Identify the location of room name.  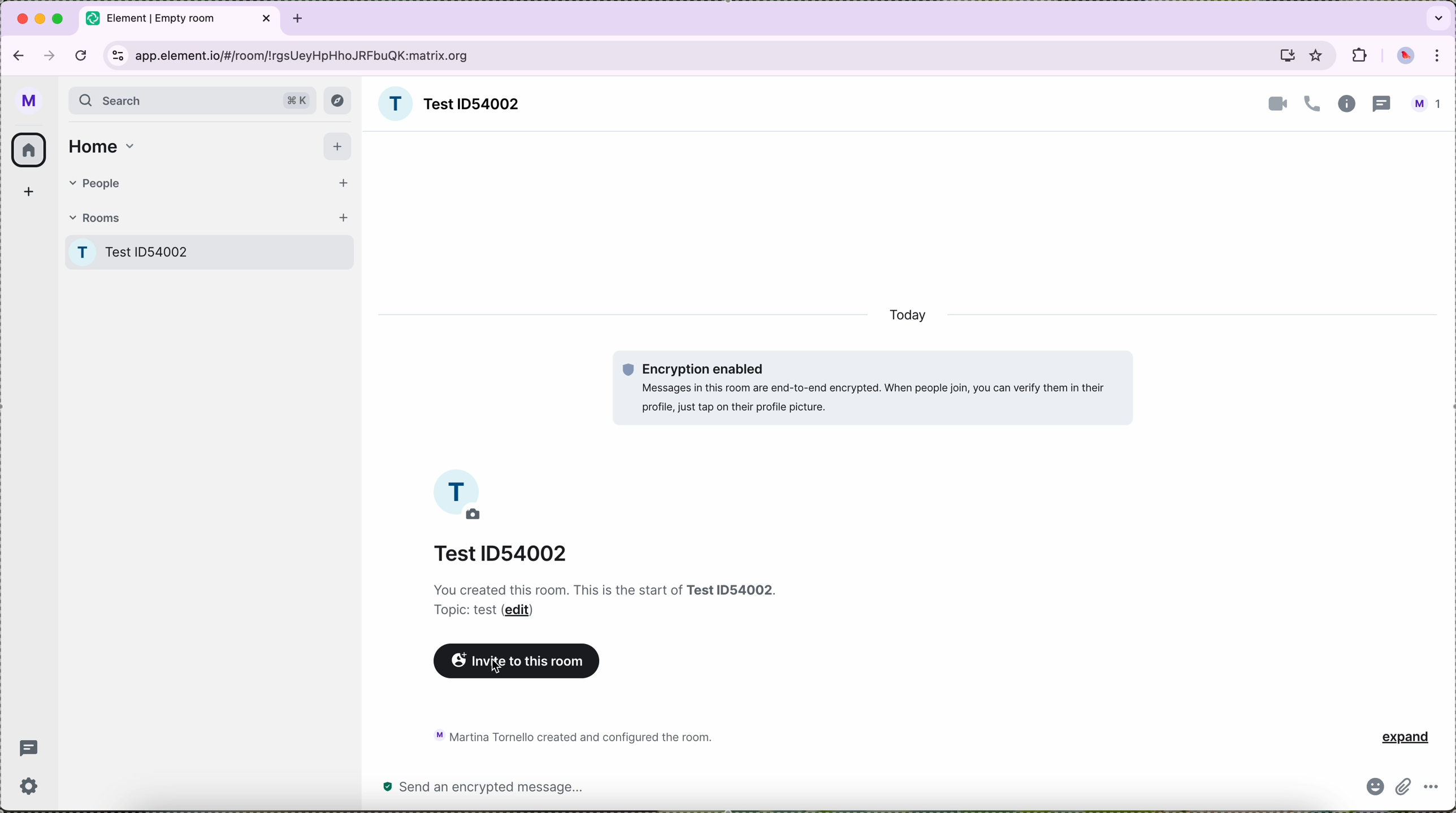
(447, 103).